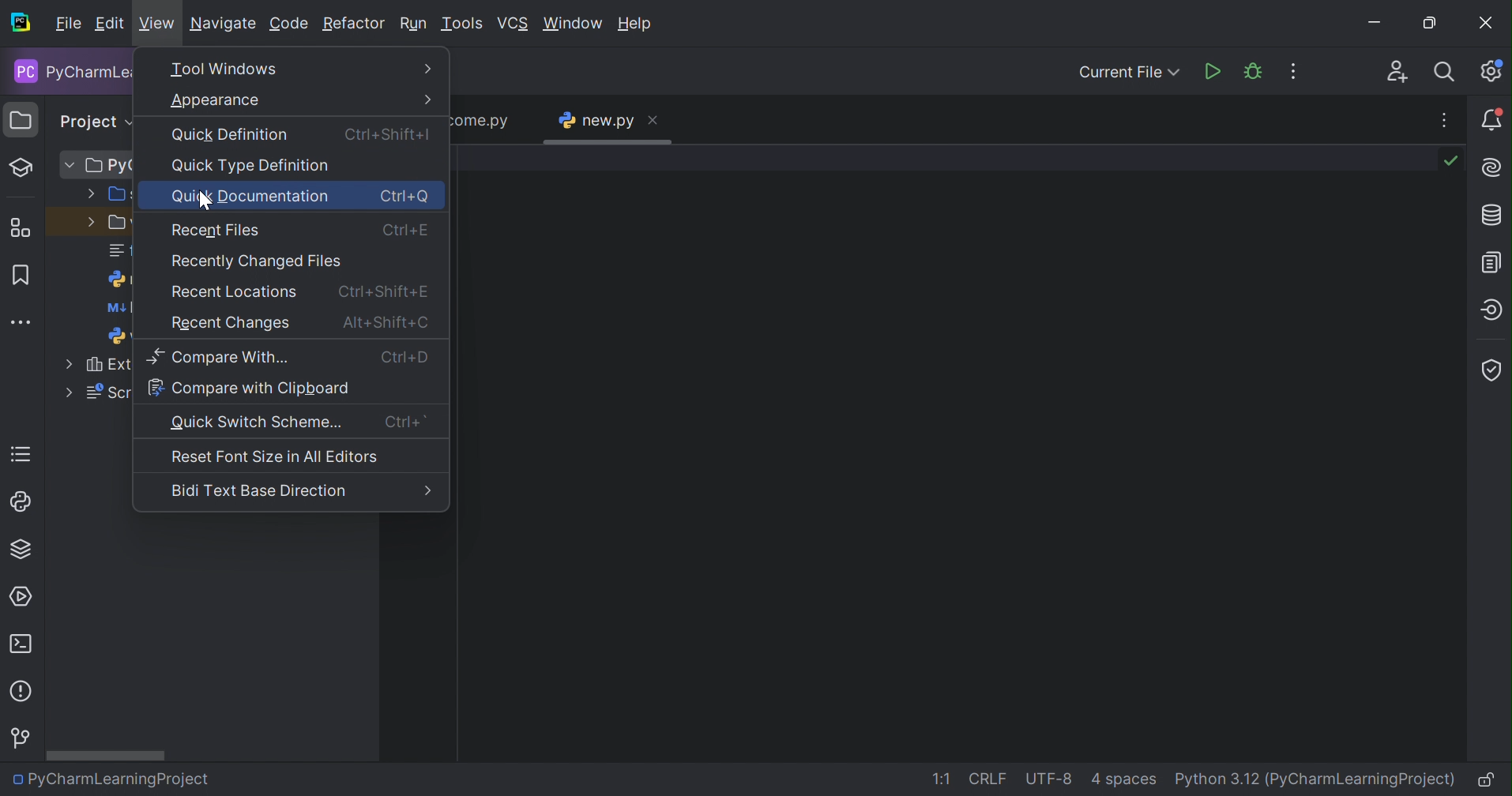  What do you see at coordinates (115, 310) in the screenshot?
I see `README.md` at bounding box center [115, 310].